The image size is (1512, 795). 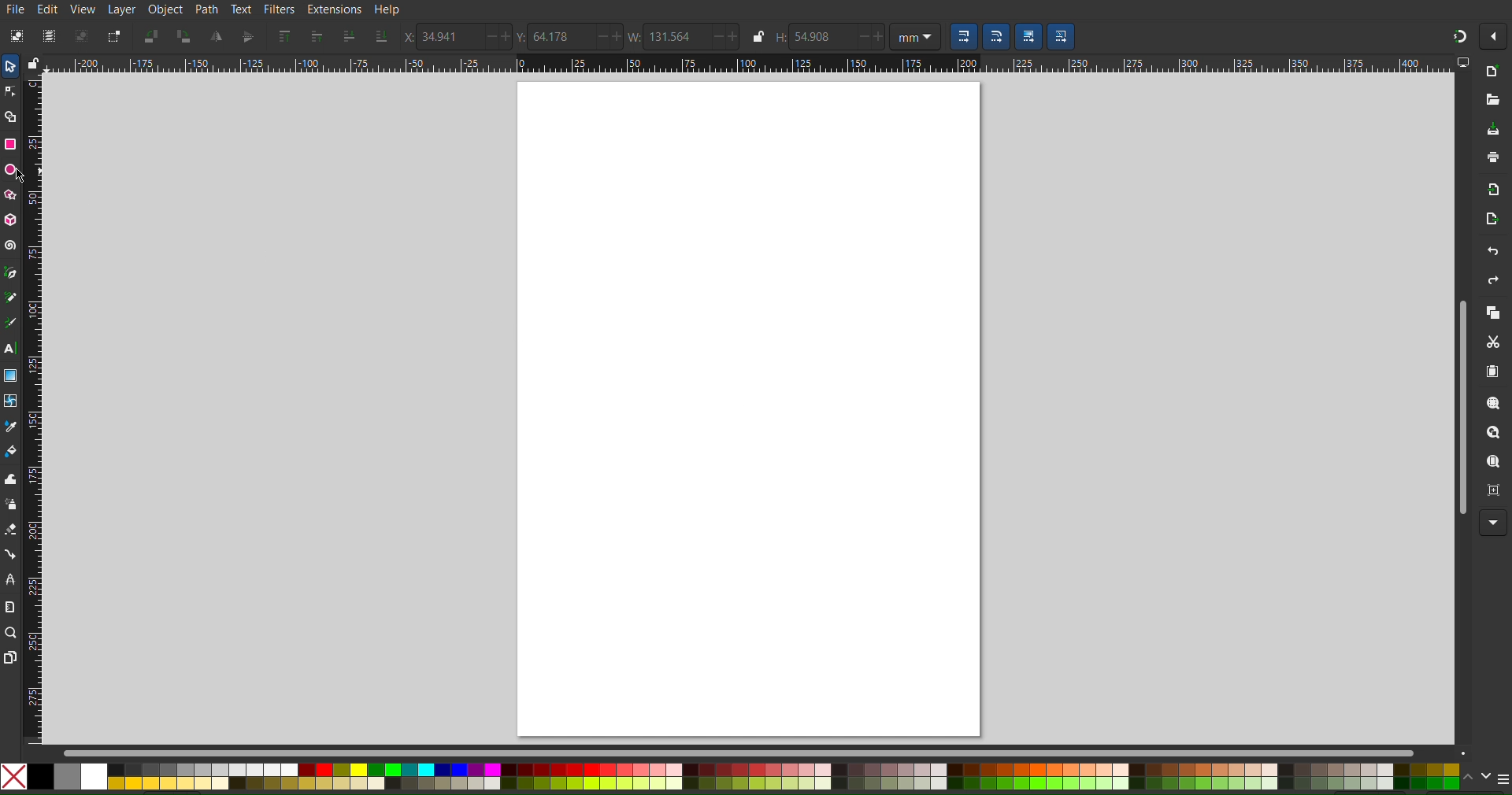 What do you see at coordinates (1493, 313) in the screenshot?
I see `Copy` at bounding box center [1493, 313].